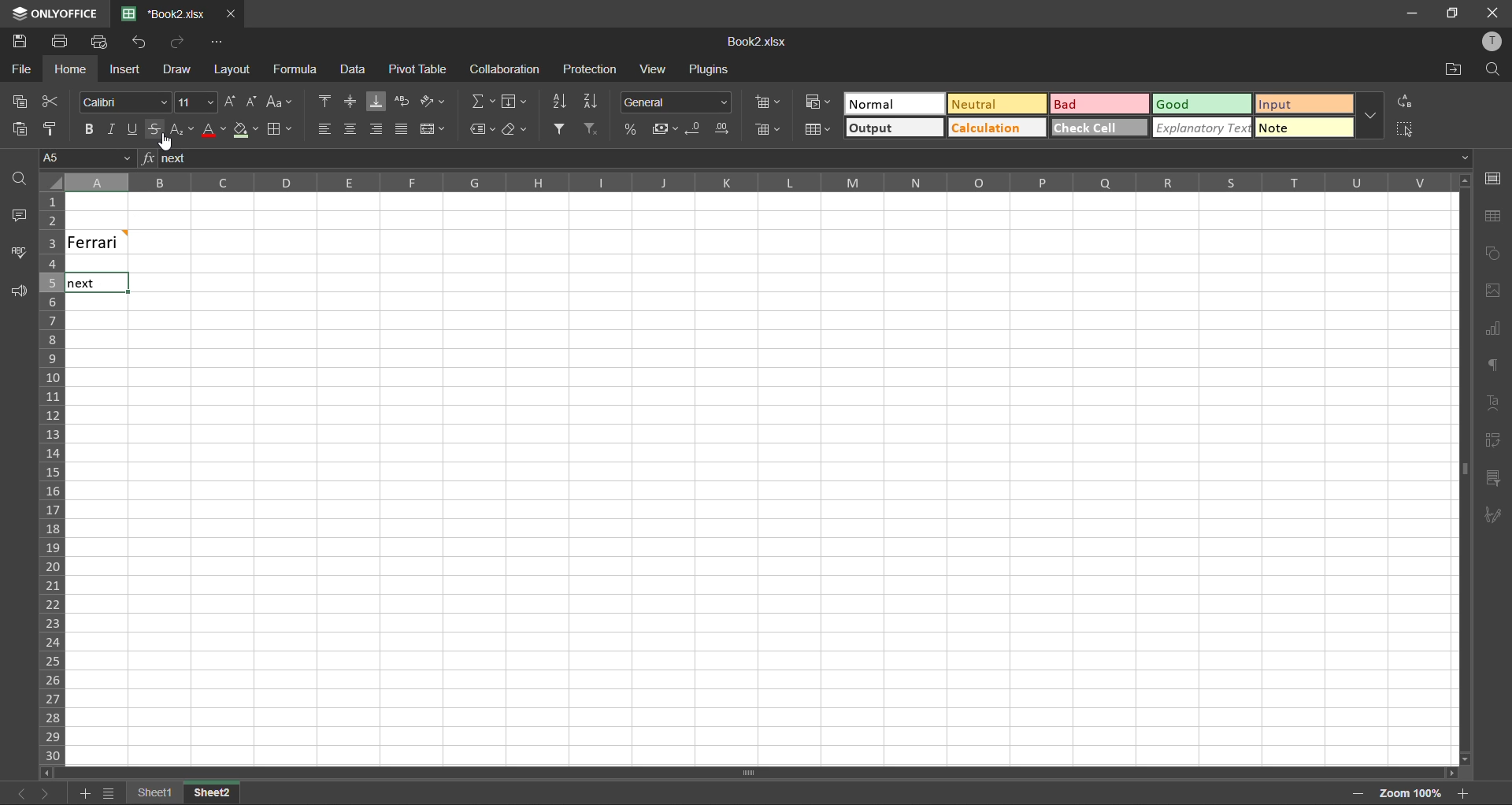  Describe the element at coordinates (807, 158) in the screenshot. I see `formula bar` at that location.